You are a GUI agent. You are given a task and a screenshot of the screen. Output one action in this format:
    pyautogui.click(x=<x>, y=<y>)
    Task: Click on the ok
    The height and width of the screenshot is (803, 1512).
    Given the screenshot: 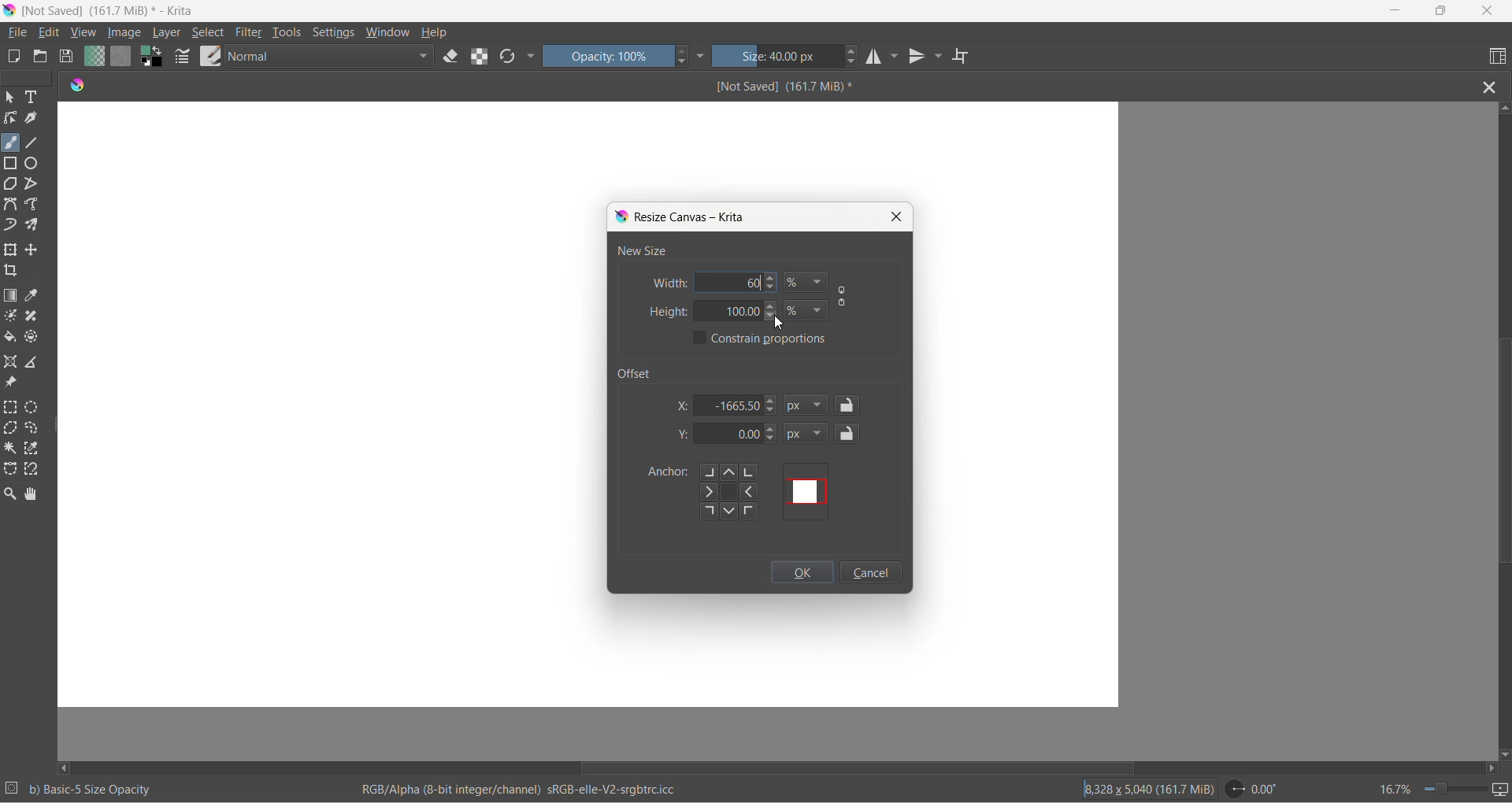 What is the action you would take?
    pyautogui.click(x=802, y=575)
    